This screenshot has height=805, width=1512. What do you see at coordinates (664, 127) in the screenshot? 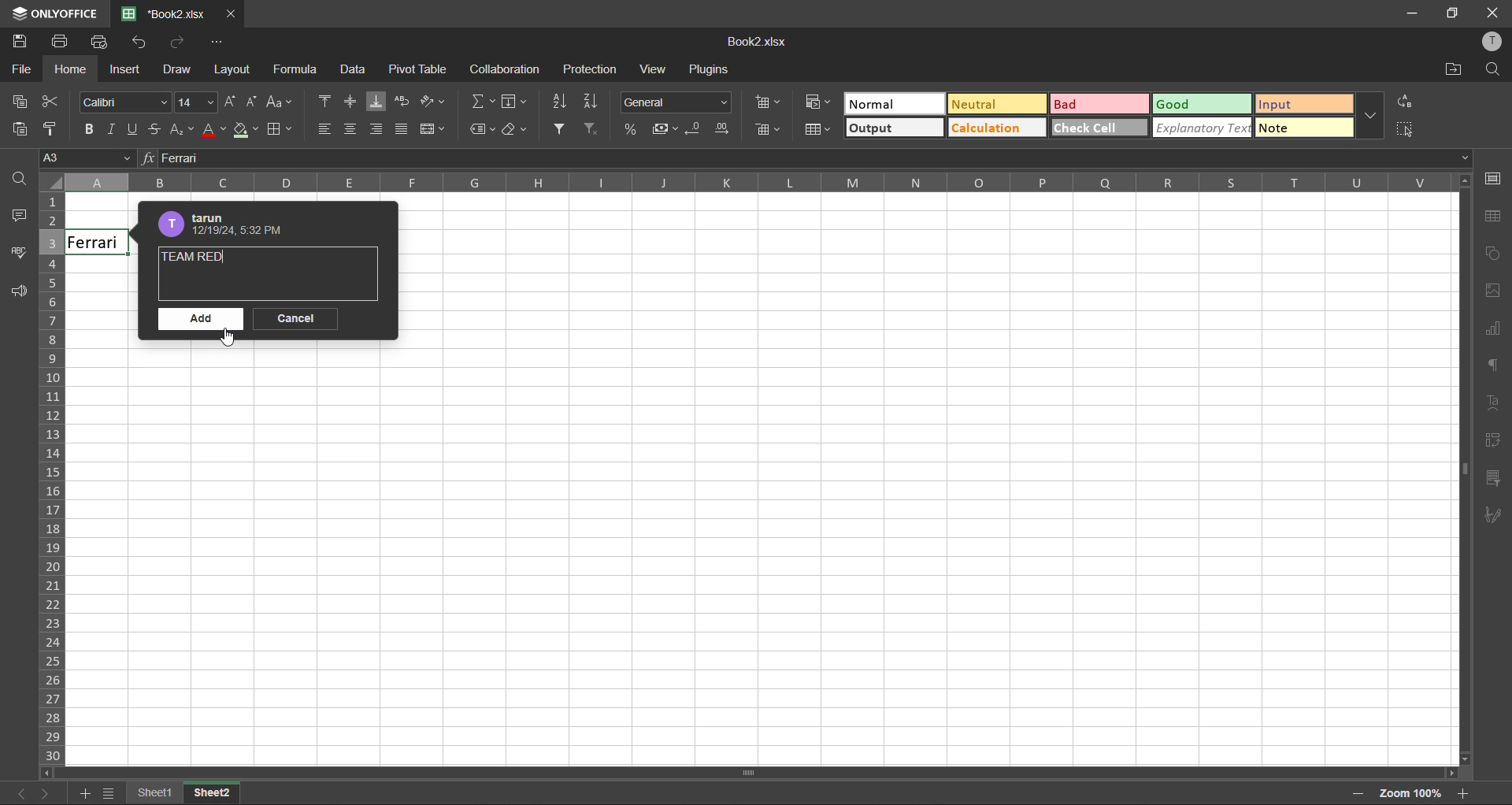
I see `accounting` at bounding box center [664, 127].